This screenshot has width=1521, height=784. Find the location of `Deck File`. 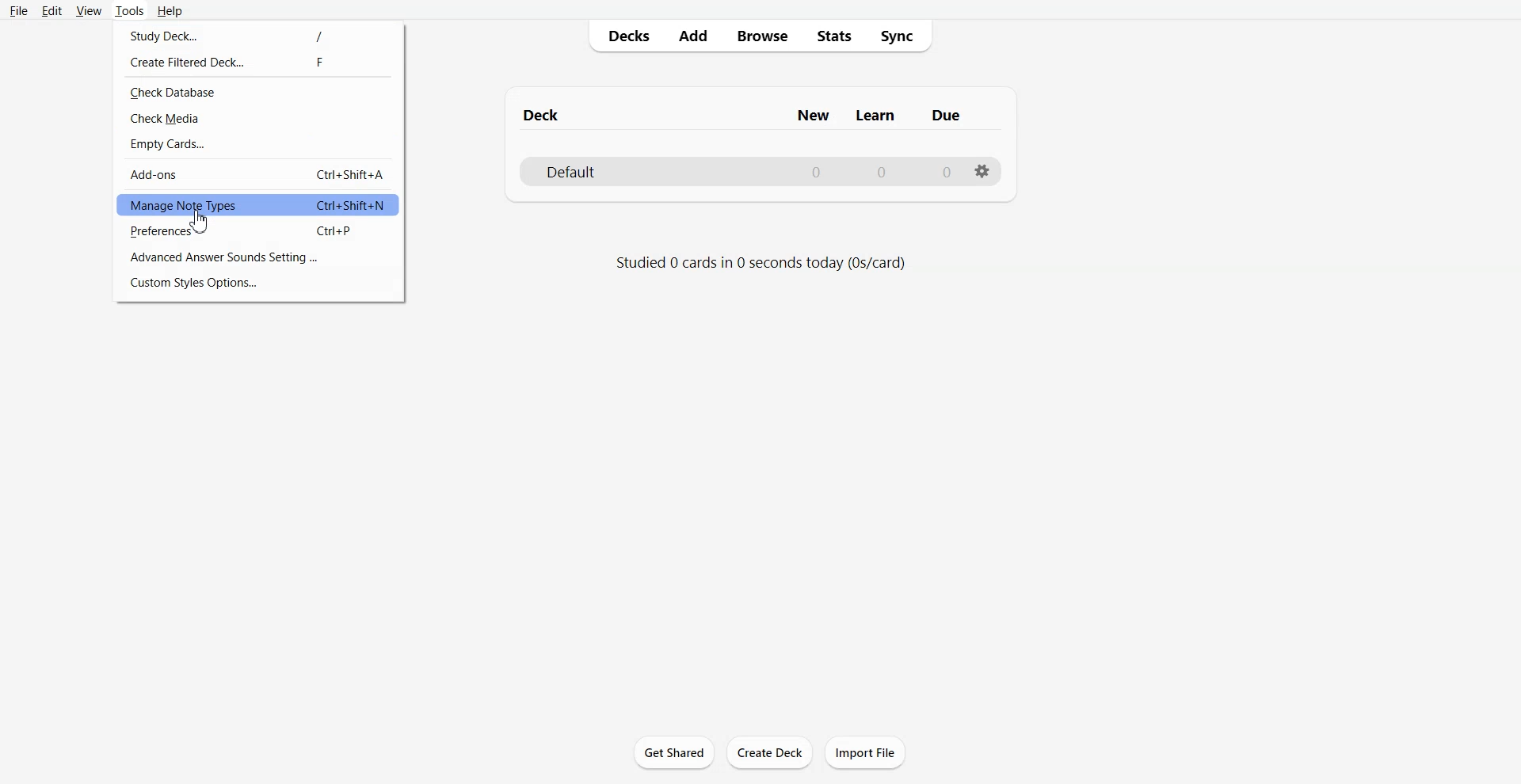

Deck File is located at coordinates (759, 170).